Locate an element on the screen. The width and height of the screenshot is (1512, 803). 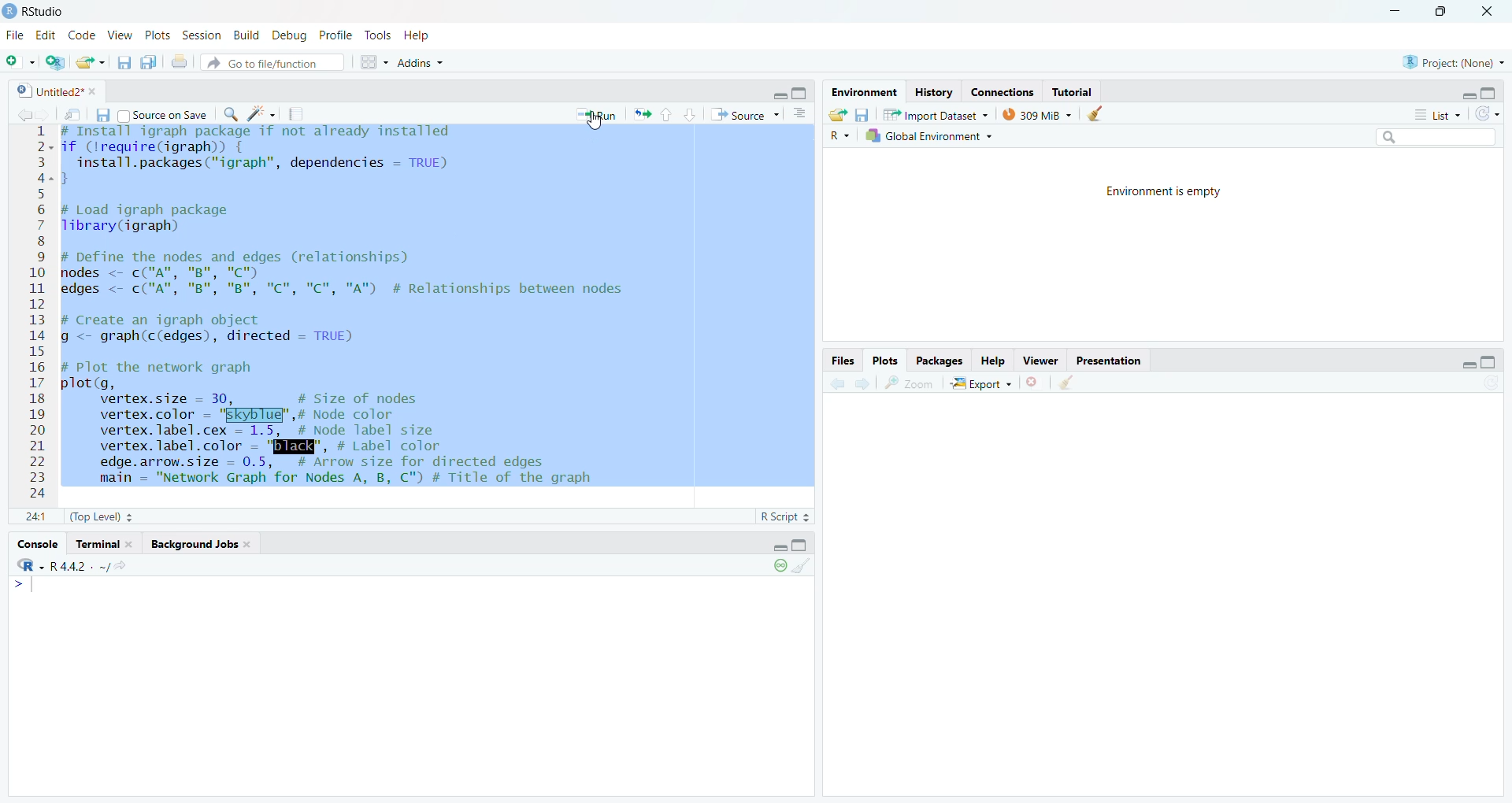
copy is located at coordinates (146, 64).